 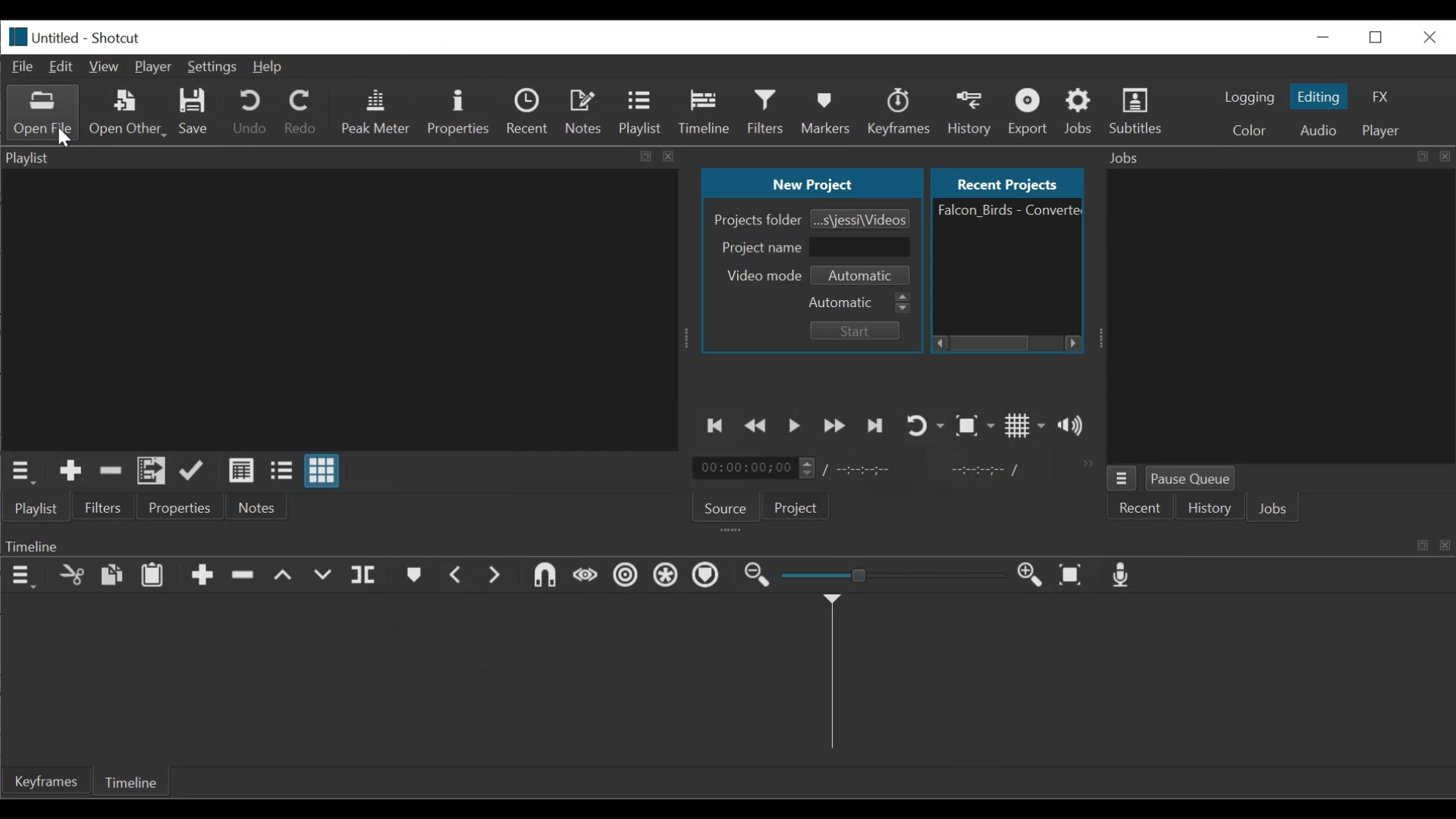 I want to click on Timeline, so click(x=130, y=781).